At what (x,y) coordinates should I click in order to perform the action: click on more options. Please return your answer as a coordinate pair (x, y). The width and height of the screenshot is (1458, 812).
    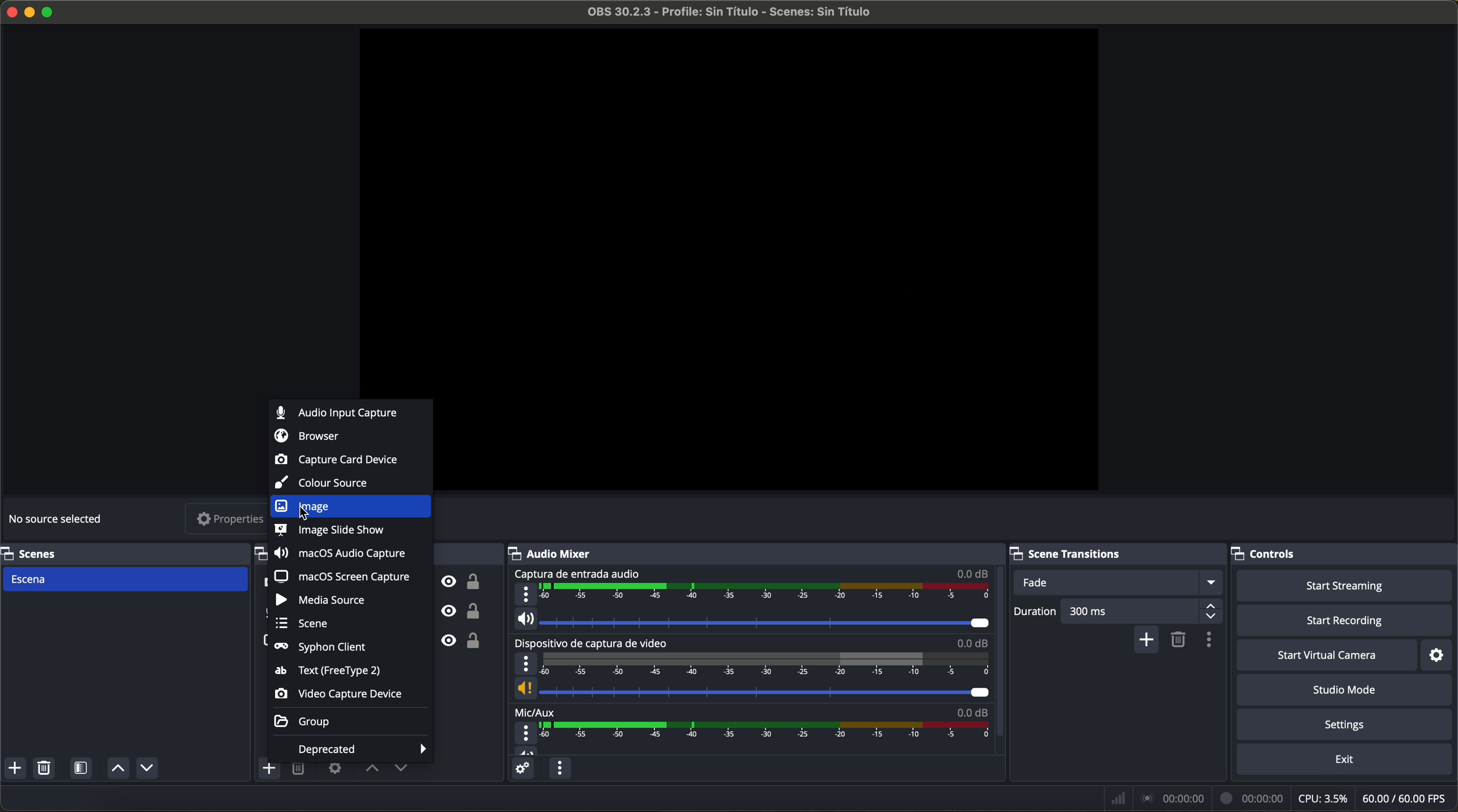
    Looking at the image, I should click on (526, 664).